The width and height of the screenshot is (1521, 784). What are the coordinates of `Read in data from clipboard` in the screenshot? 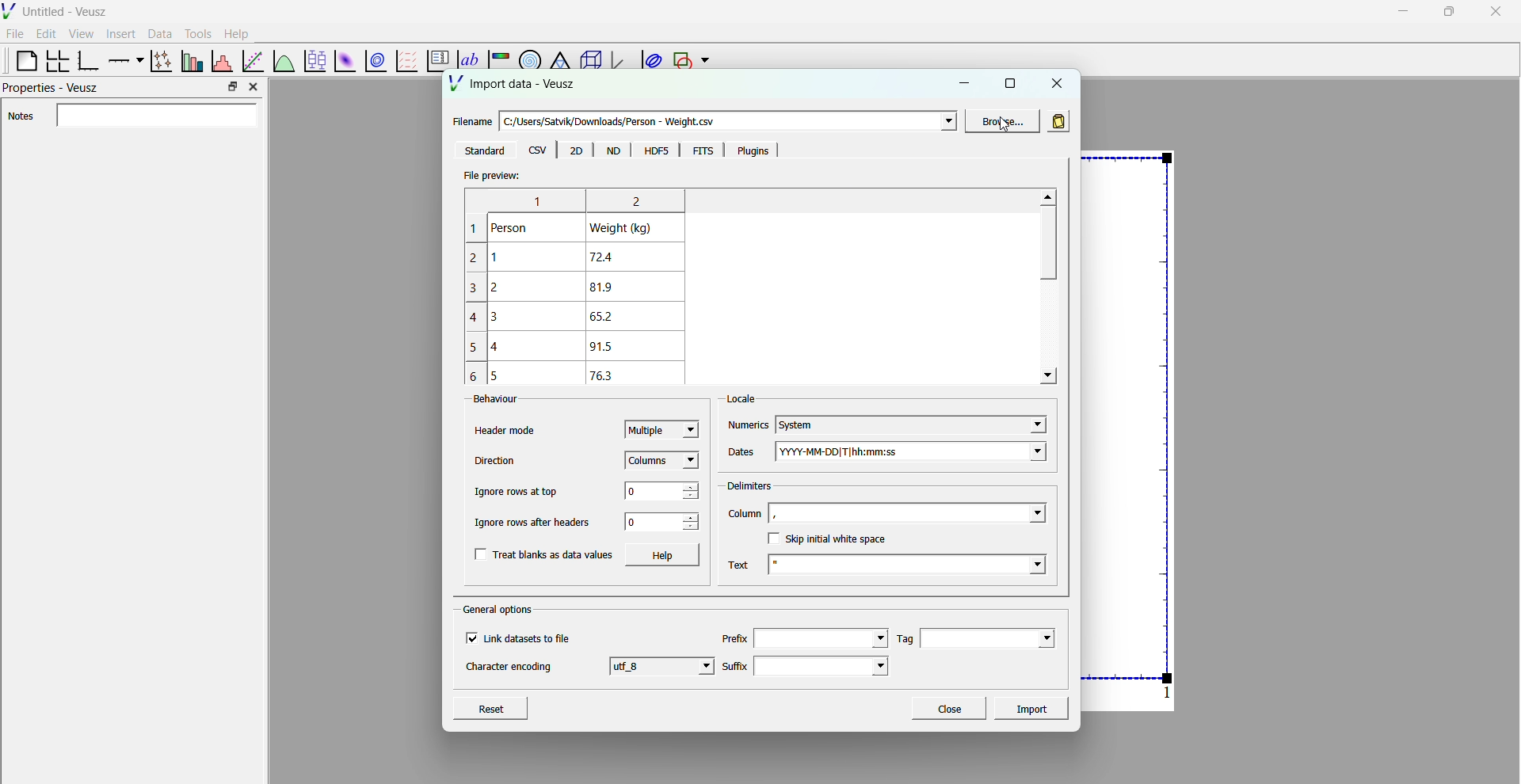 It's located at (1061, 119).